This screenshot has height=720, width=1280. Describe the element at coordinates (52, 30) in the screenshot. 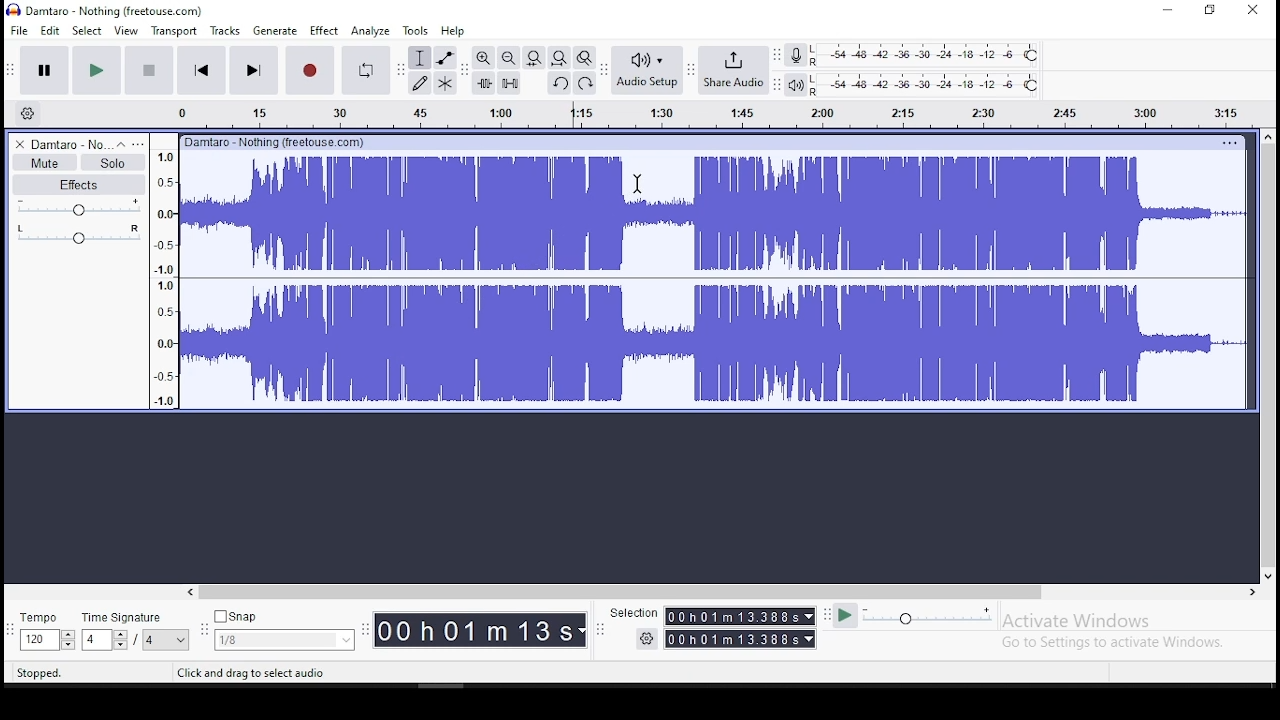

I see `edit` at that location.